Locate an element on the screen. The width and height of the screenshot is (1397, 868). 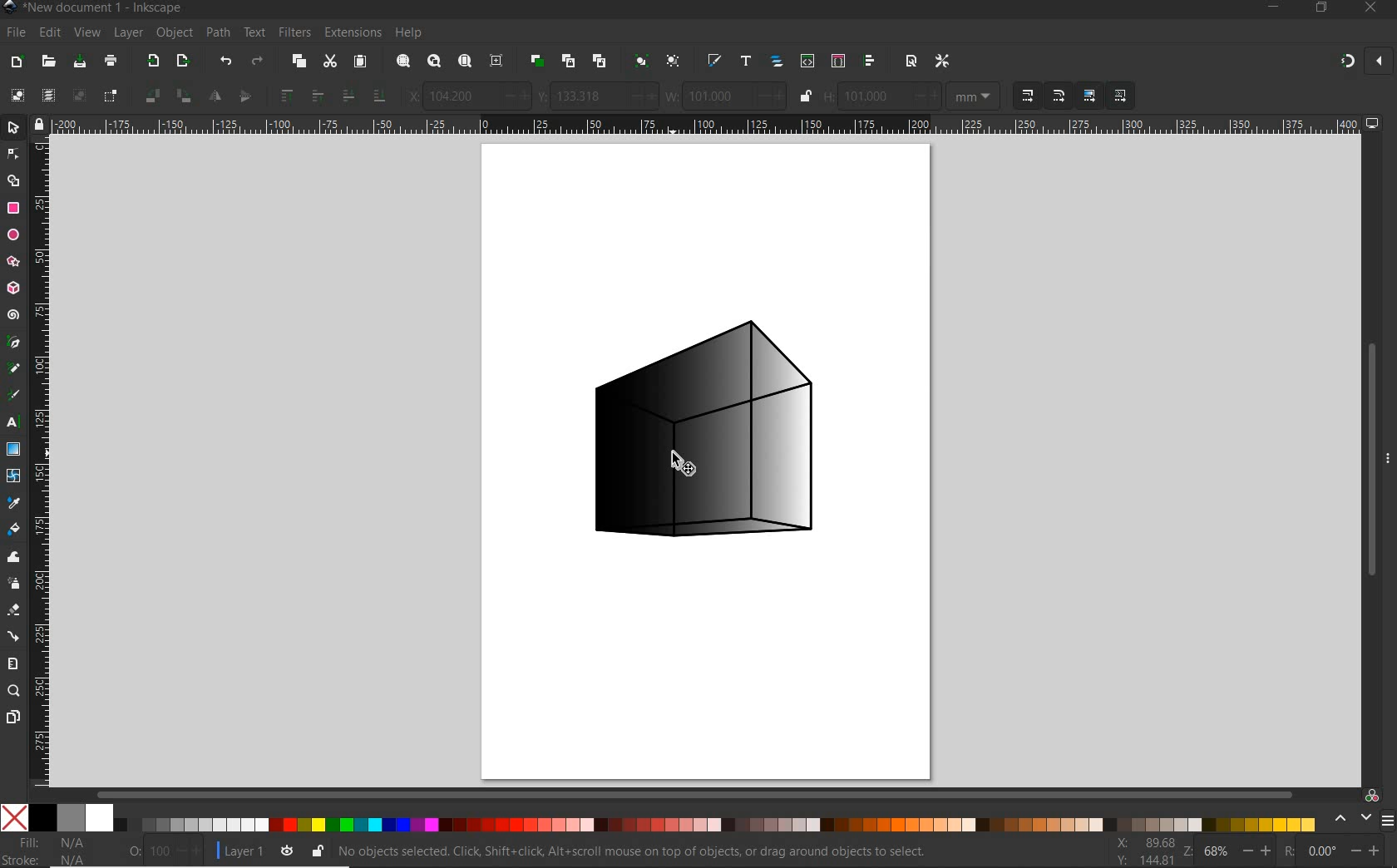
computer icon is located at coordinates (1373, 124).